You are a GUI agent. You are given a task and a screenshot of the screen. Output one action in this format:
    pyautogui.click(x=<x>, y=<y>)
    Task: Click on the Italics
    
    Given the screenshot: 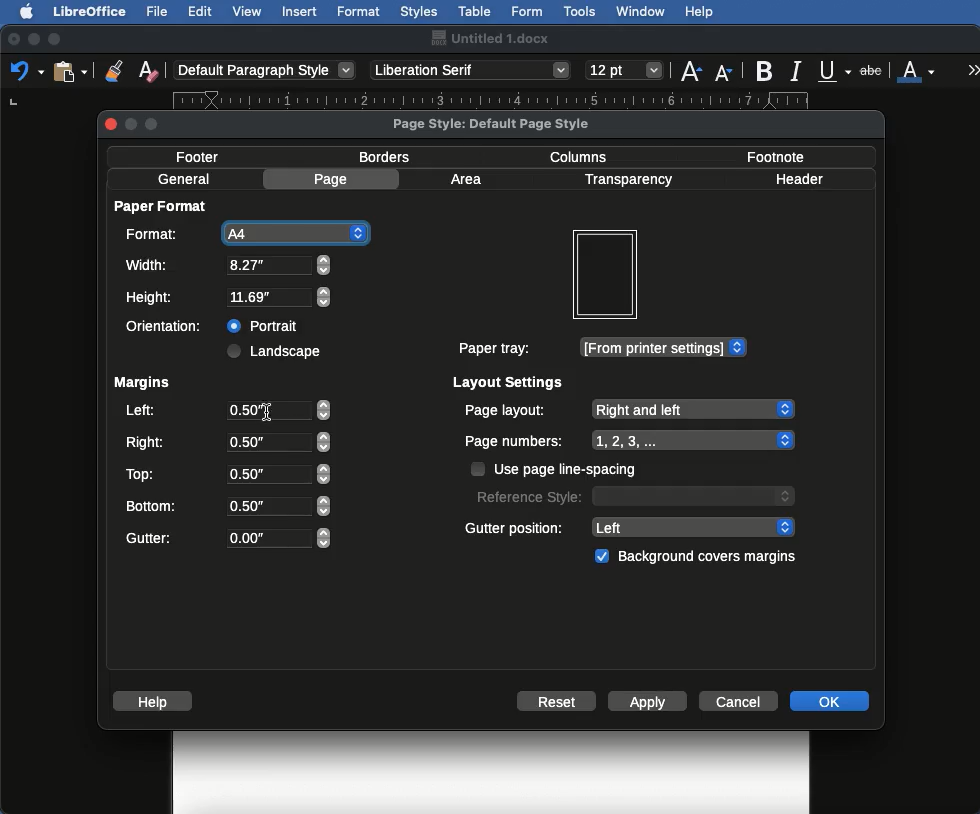 What is the action you would take?
    pyautogui.click(x=799, y=69)
    